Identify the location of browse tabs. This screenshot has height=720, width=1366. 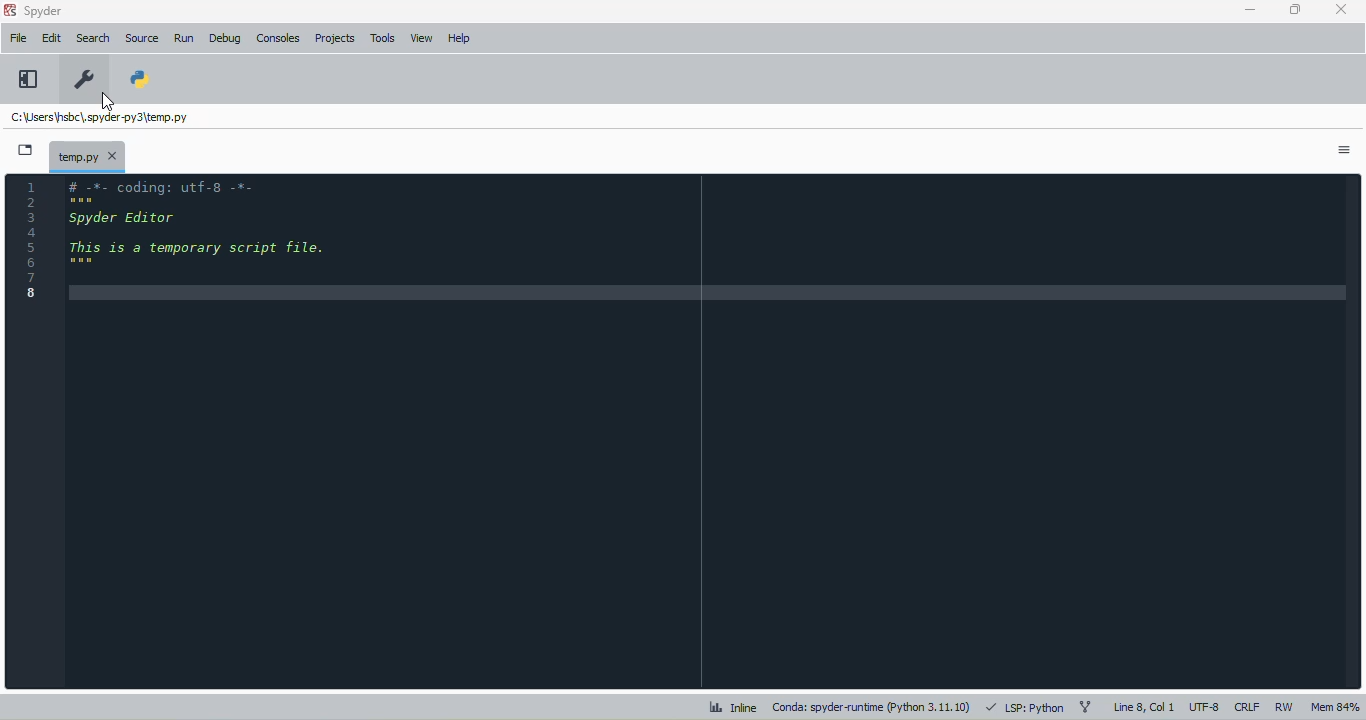
(25, 150).